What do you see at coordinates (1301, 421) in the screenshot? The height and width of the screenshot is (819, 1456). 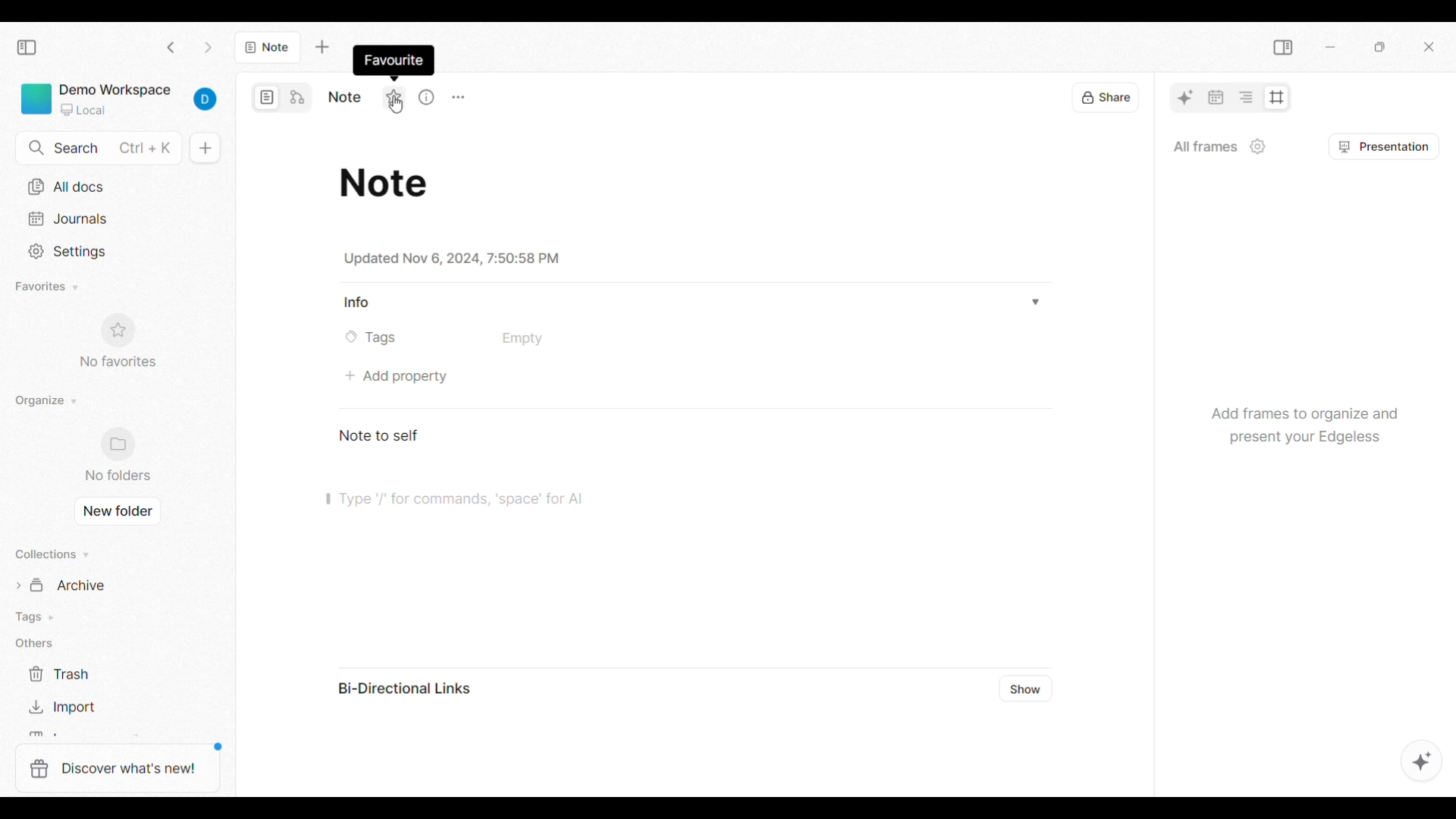 I see `Add frames to organize and present your Edgeless` at bounding box center [1301, 421].